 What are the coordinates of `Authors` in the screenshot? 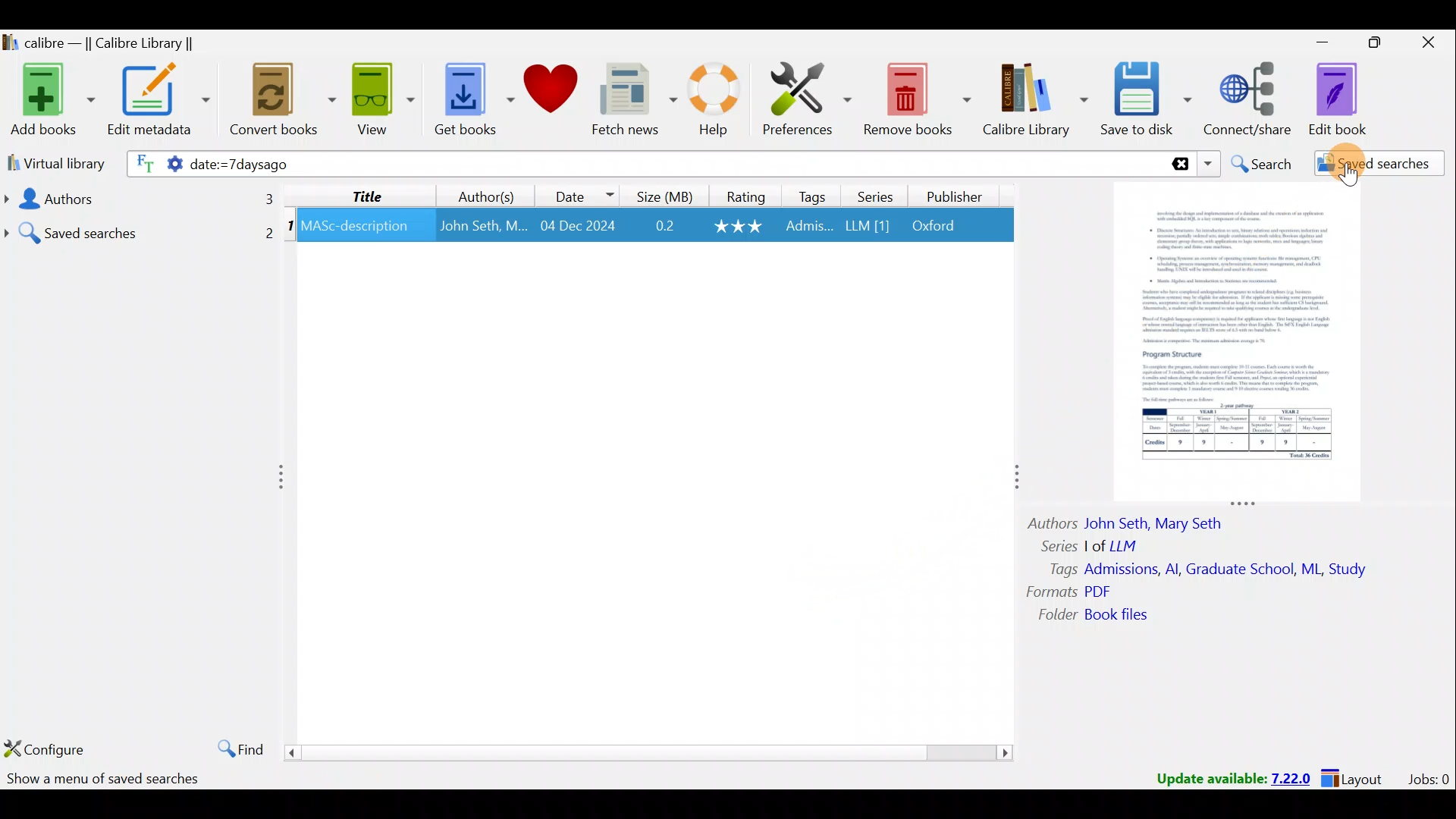 It's located at (137, 199).